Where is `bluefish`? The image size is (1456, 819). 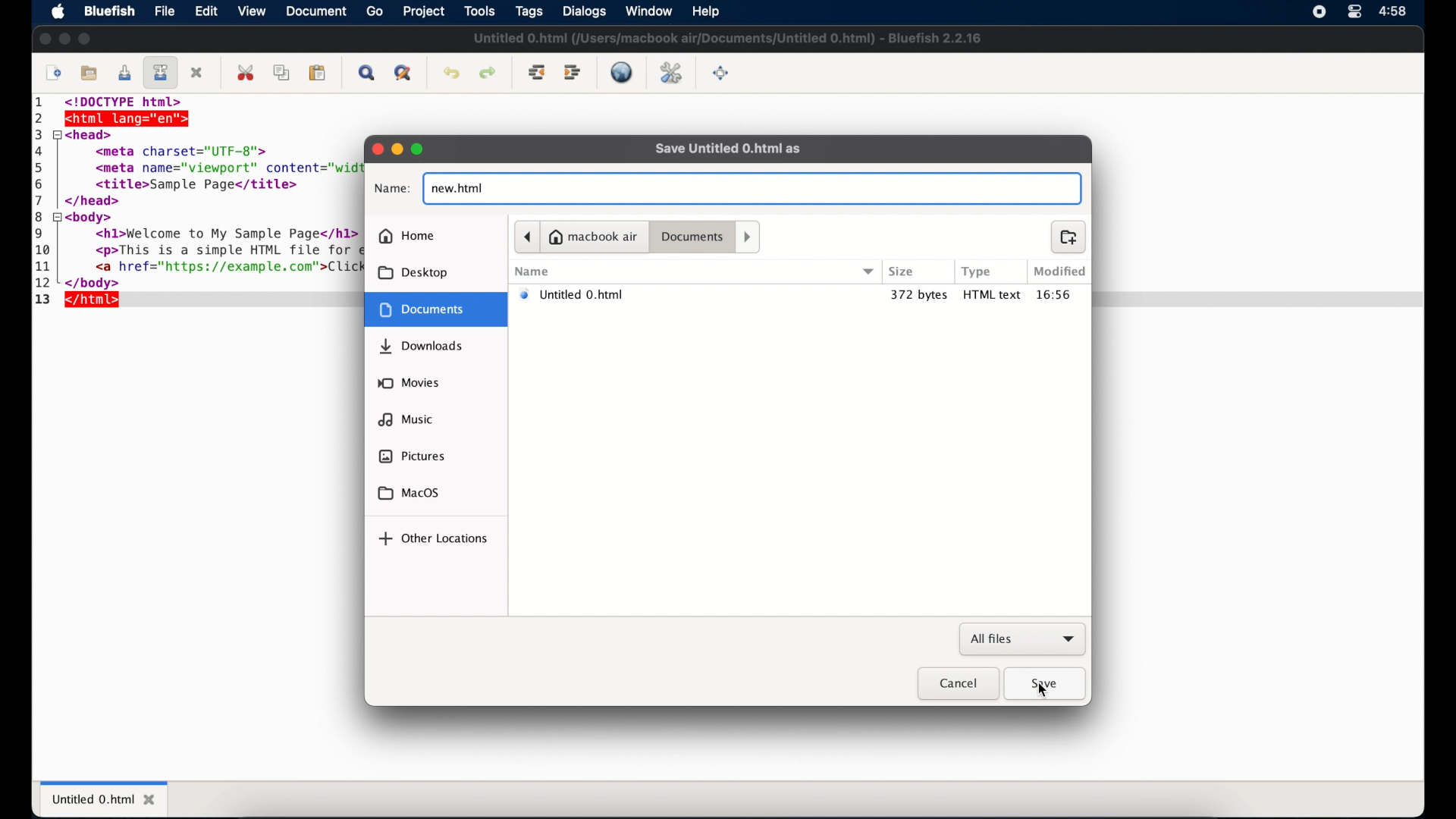
bluefish is located at coordinates (110, 11).